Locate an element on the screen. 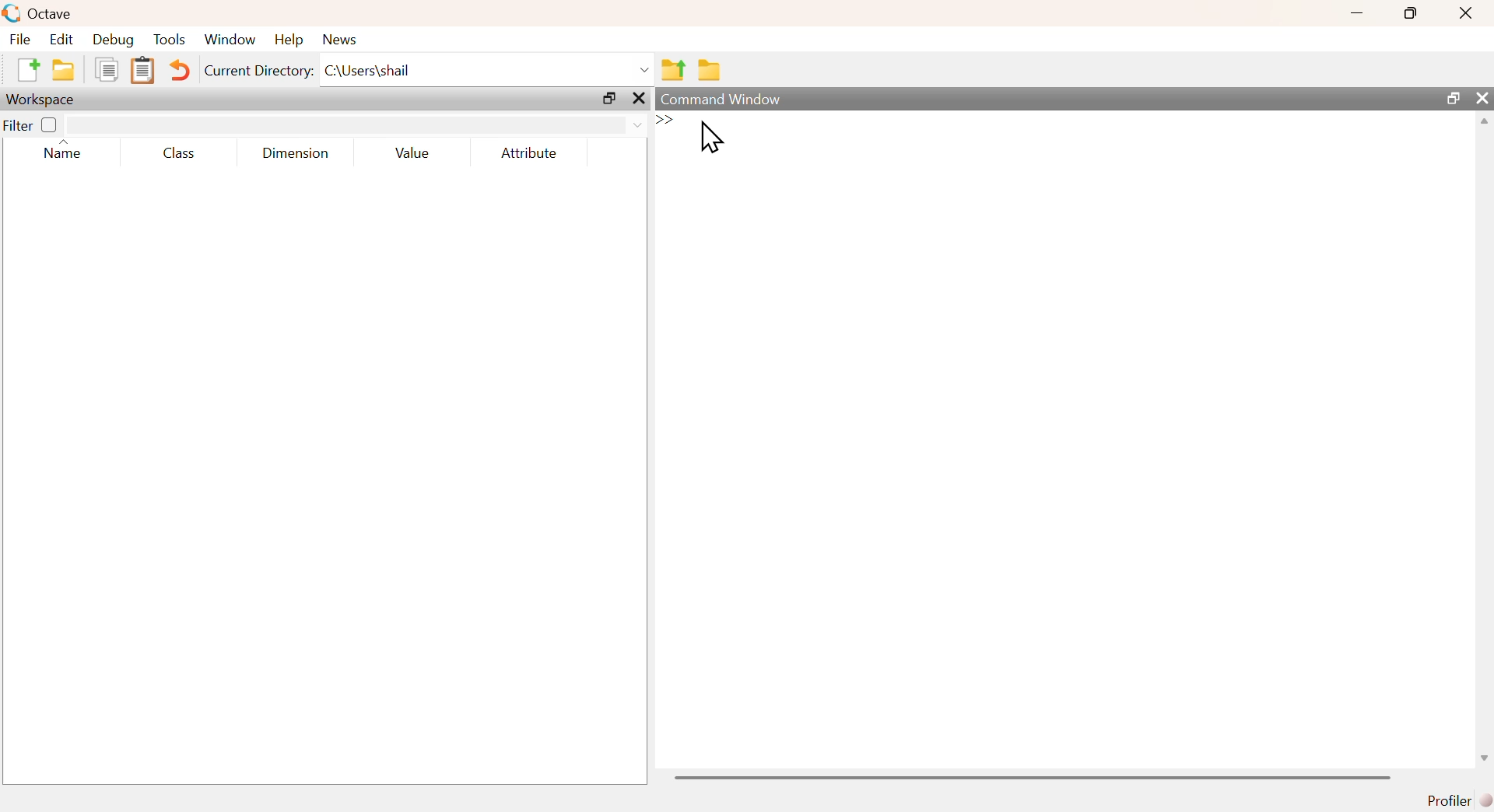 This screenshot has width=1494, height=812. workspace is located at coordinates (46, 100).